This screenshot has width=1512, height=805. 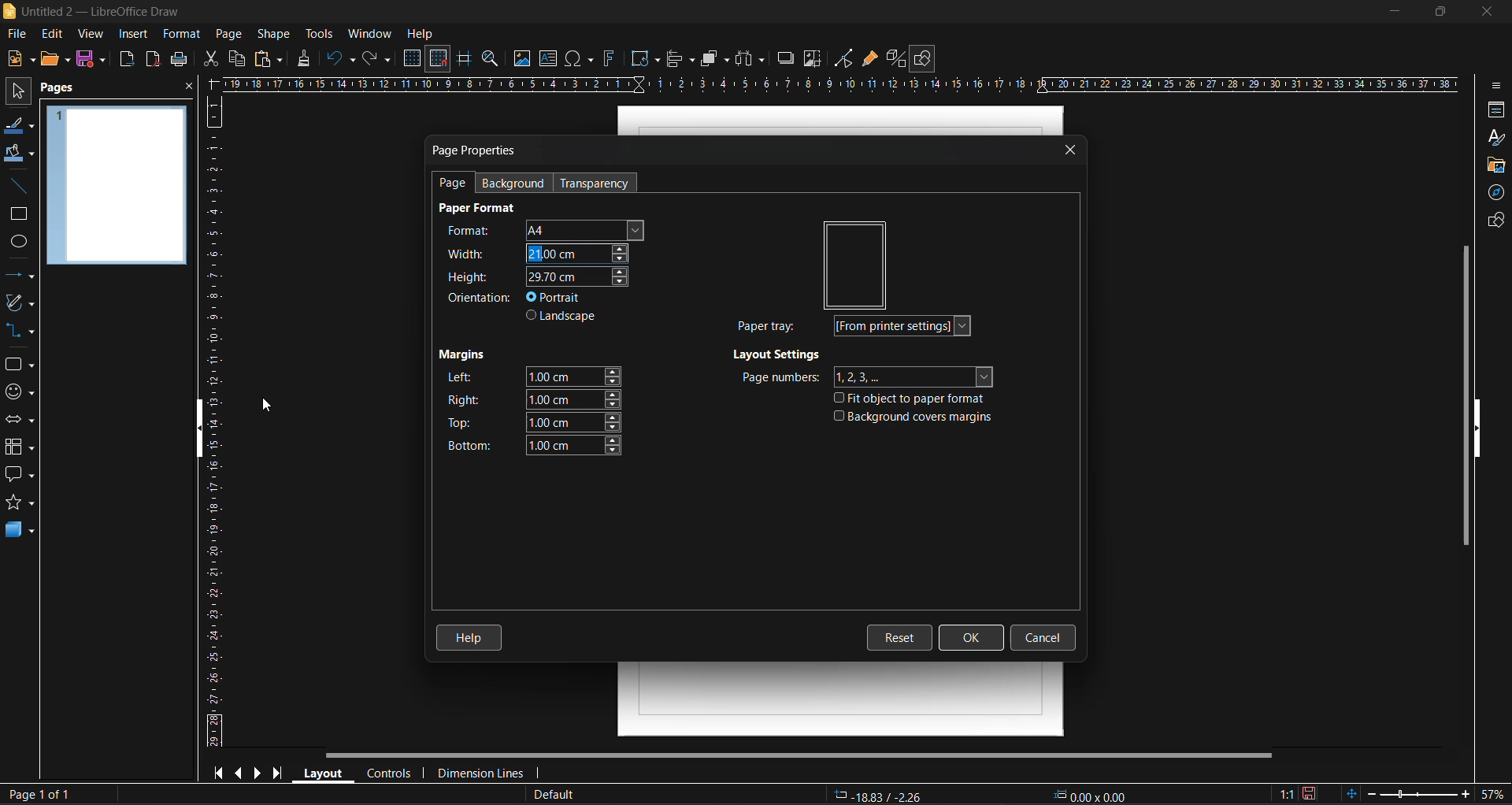 What do you see at coordinates (716, 59) in the screenshot?
I see `arrange` at bounding box center [716, 59].